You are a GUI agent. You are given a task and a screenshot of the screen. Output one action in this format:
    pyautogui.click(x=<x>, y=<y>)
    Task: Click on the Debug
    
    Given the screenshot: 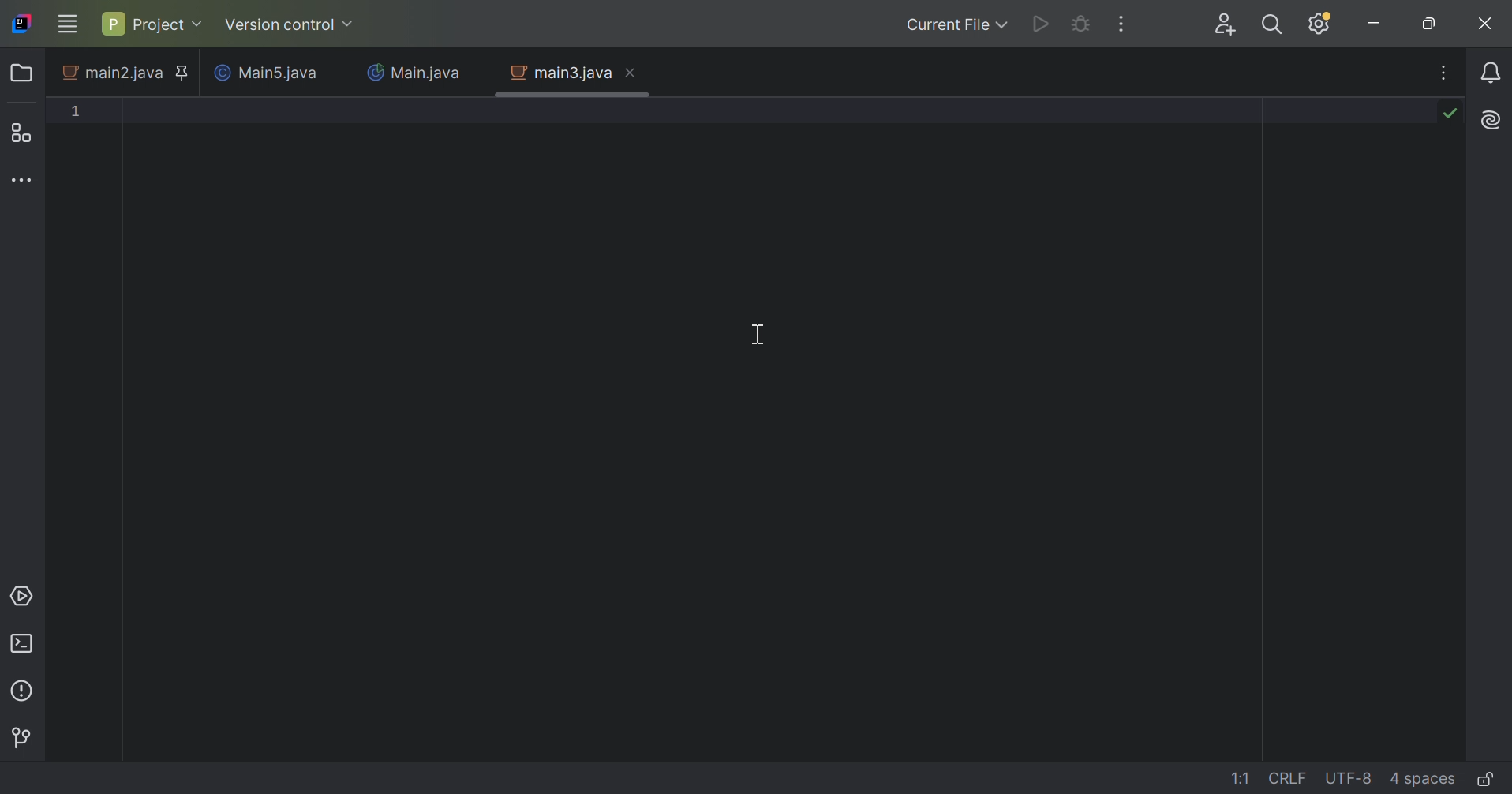 What is the action you would take?
    pyautogui.click(x=1080, y=24)
    